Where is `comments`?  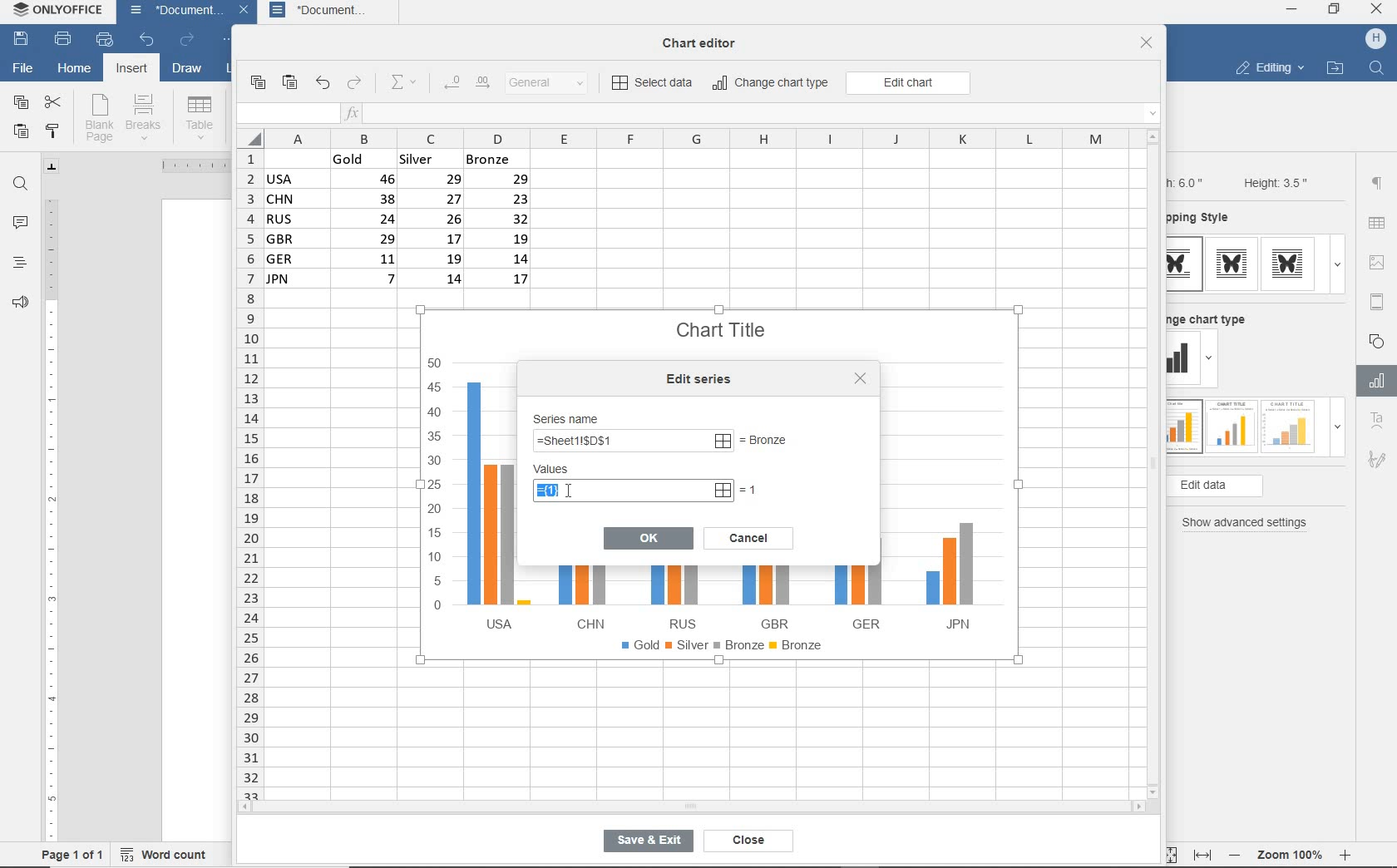 comments is located at coordinates (21, 224).